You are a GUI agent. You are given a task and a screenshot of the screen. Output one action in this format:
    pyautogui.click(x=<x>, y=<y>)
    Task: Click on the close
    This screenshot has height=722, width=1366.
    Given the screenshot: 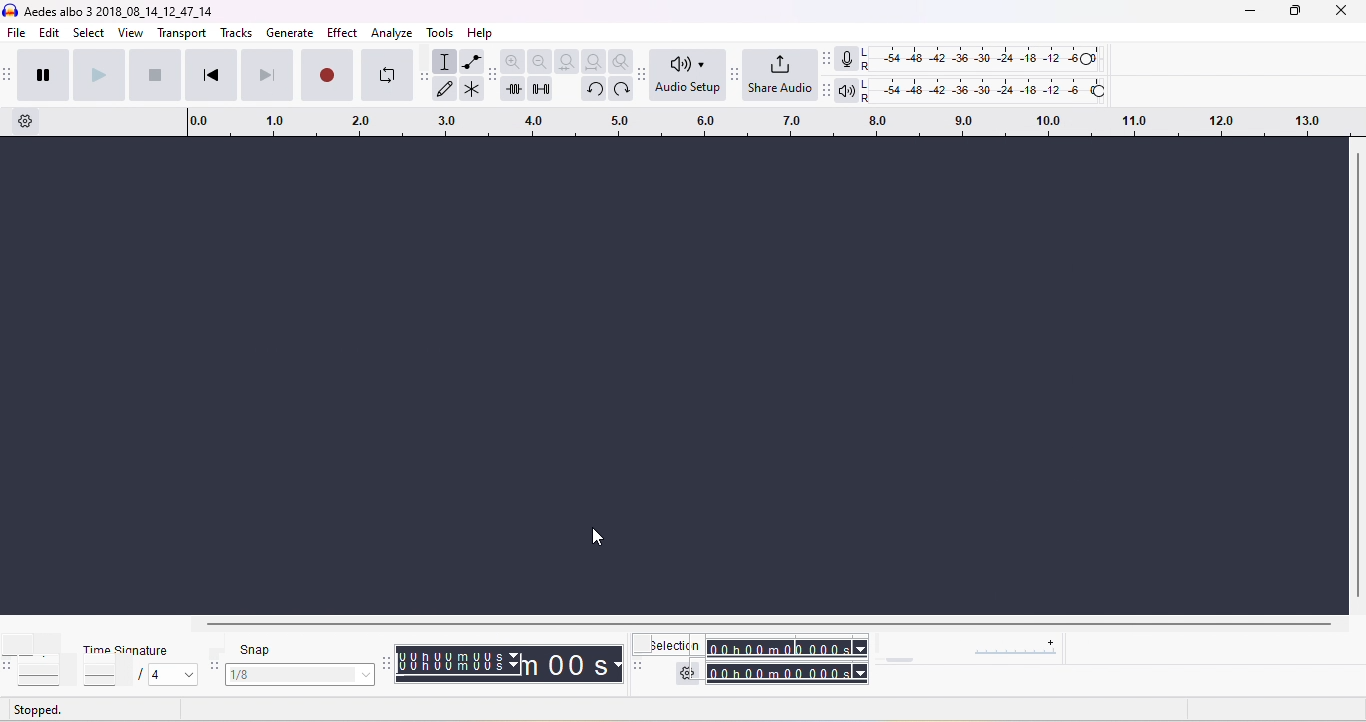 What is the action you would take?
    pyautogui.click(x=1340, y=12)
    